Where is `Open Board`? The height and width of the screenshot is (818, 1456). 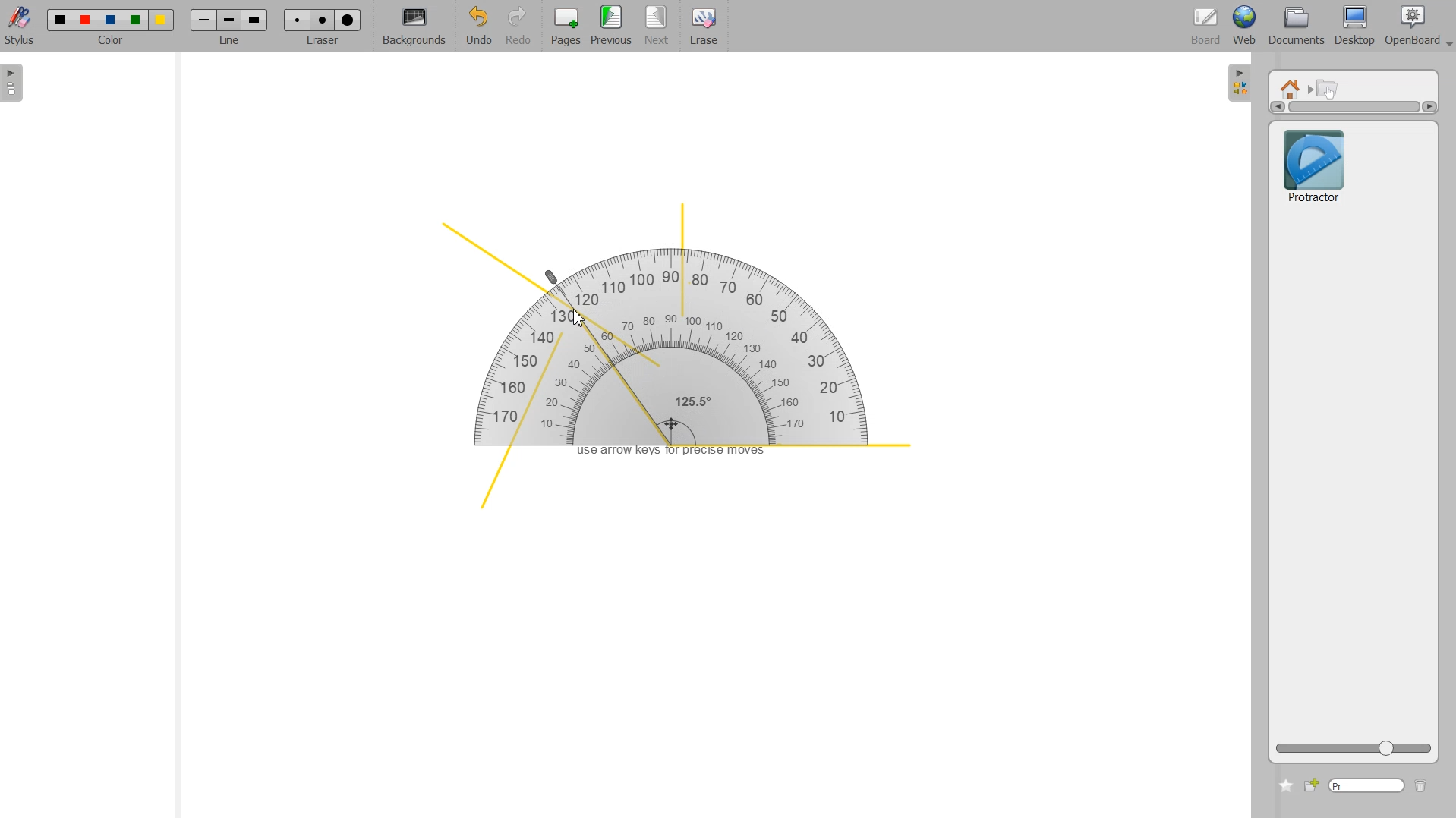
Open Board is located at coordinates (1418, 27).